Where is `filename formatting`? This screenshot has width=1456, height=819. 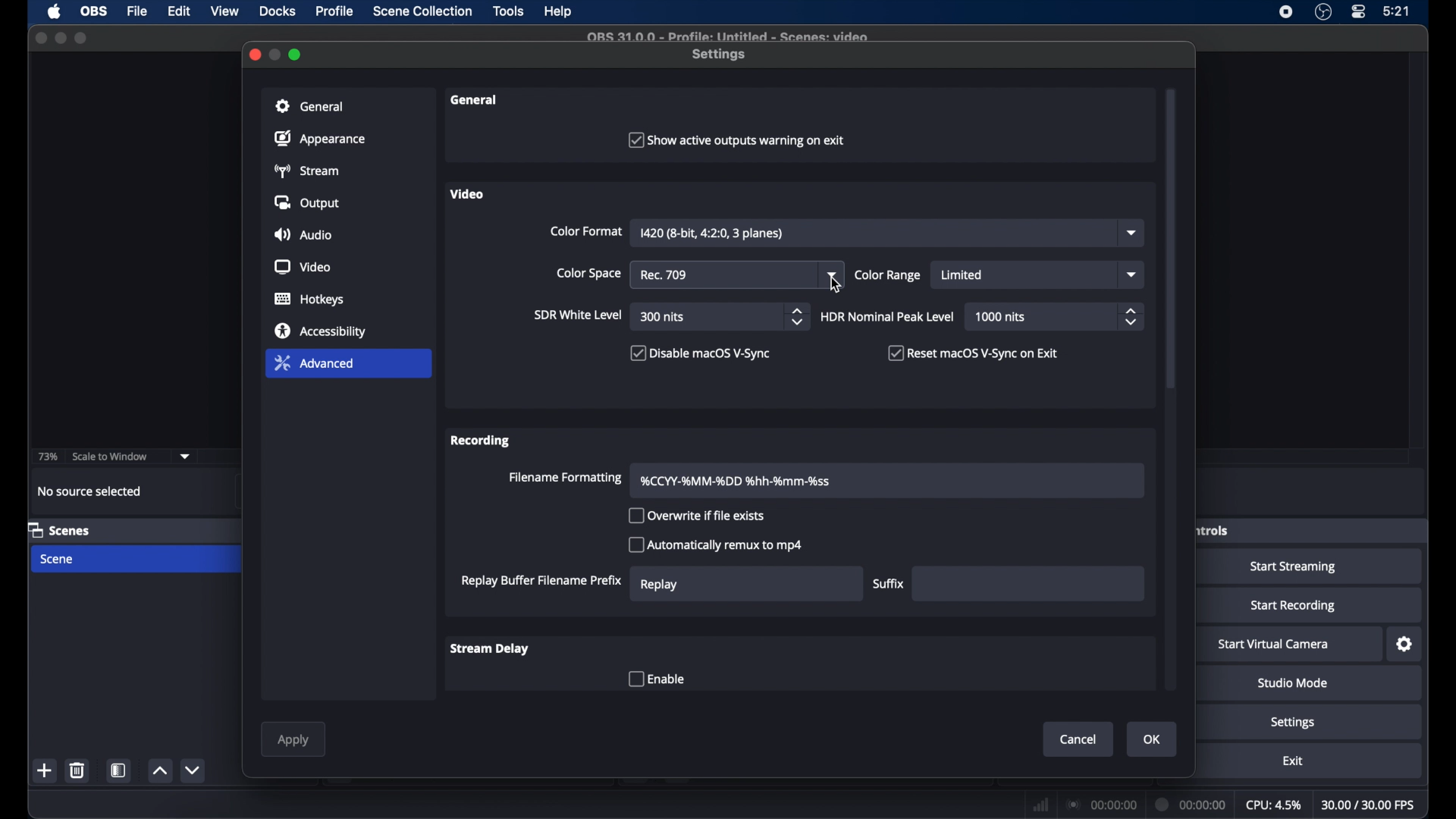 filename formatting is located at coordinates (566, 478).